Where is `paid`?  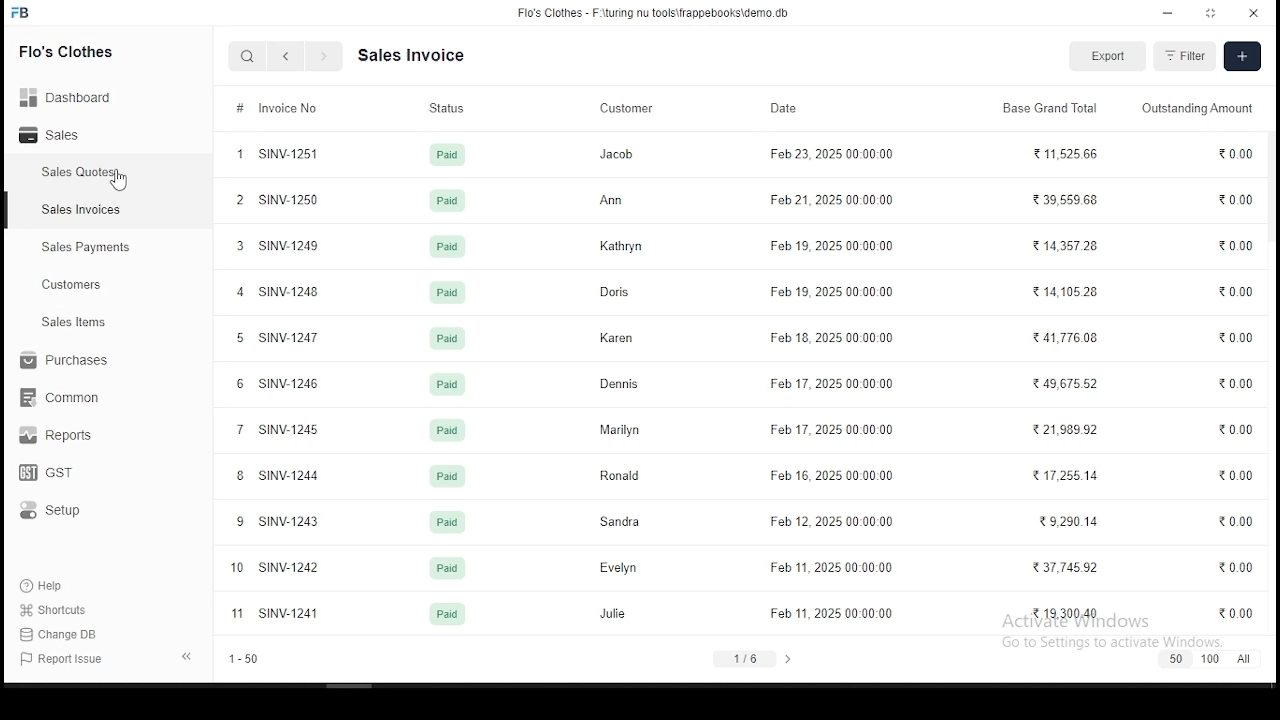
paid is located at coordinates (442, 429).